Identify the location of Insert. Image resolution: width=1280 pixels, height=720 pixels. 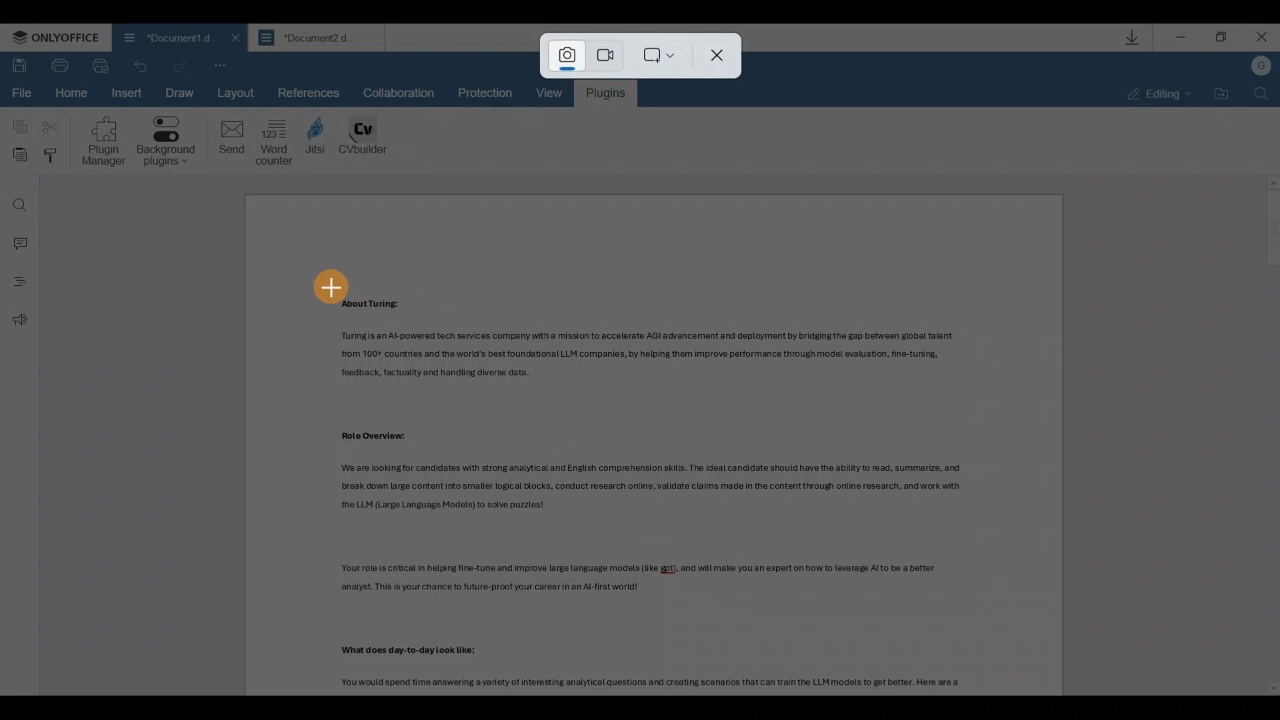
(124, 93).